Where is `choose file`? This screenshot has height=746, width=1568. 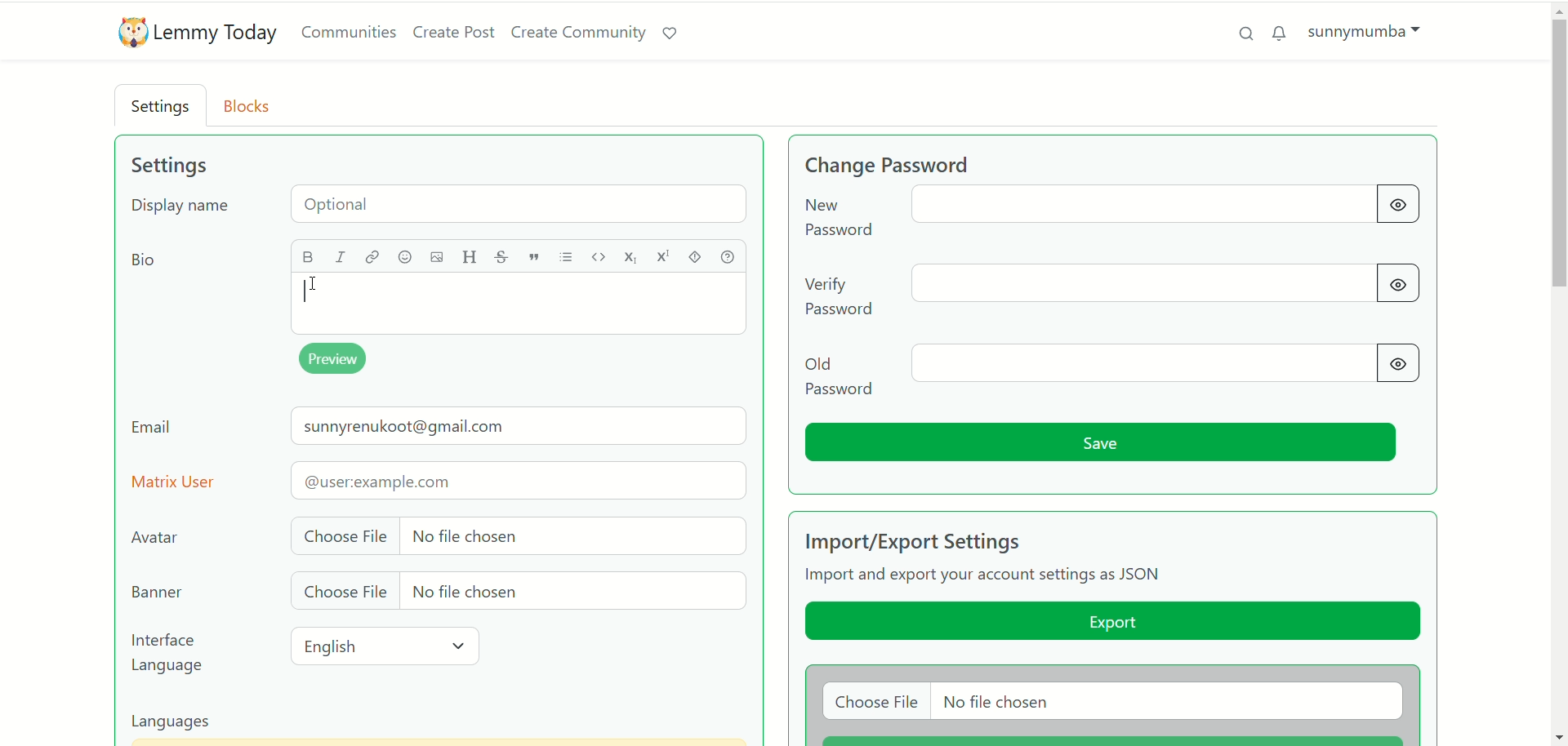
choose file is located at coordinates (1111, 702).